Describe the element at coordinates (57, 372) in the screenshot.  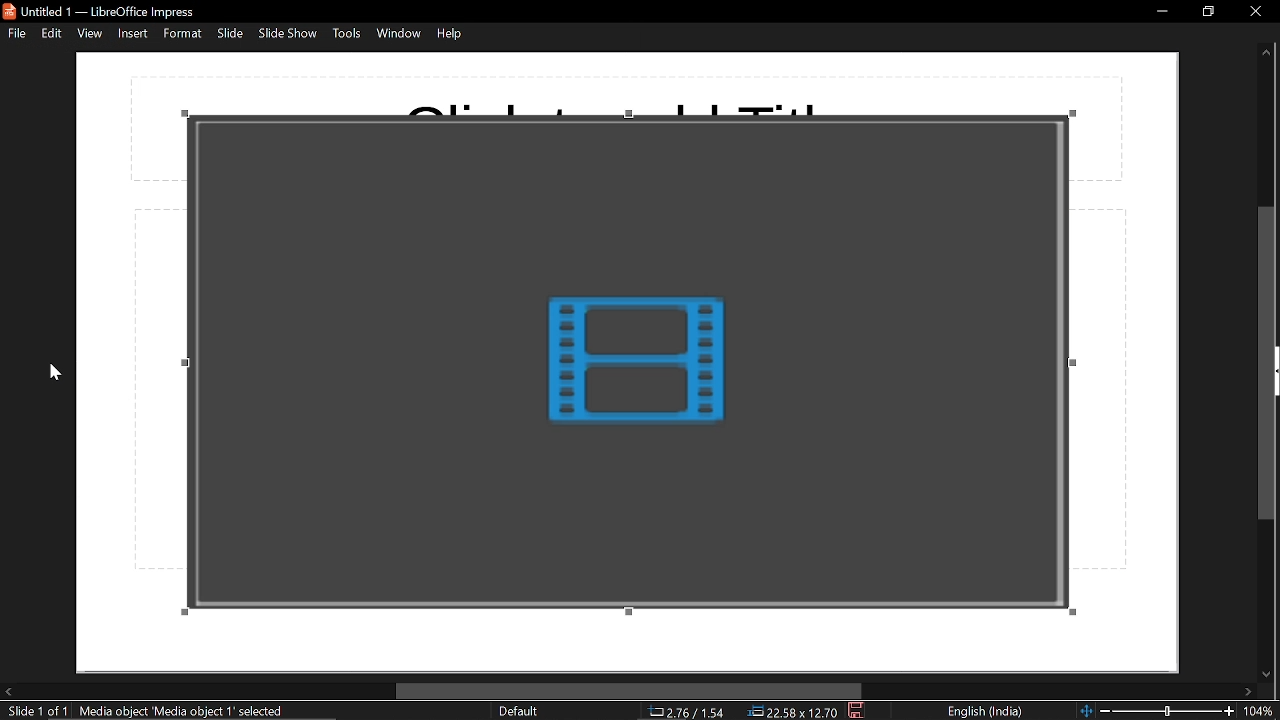
I see `cursor` at that location.